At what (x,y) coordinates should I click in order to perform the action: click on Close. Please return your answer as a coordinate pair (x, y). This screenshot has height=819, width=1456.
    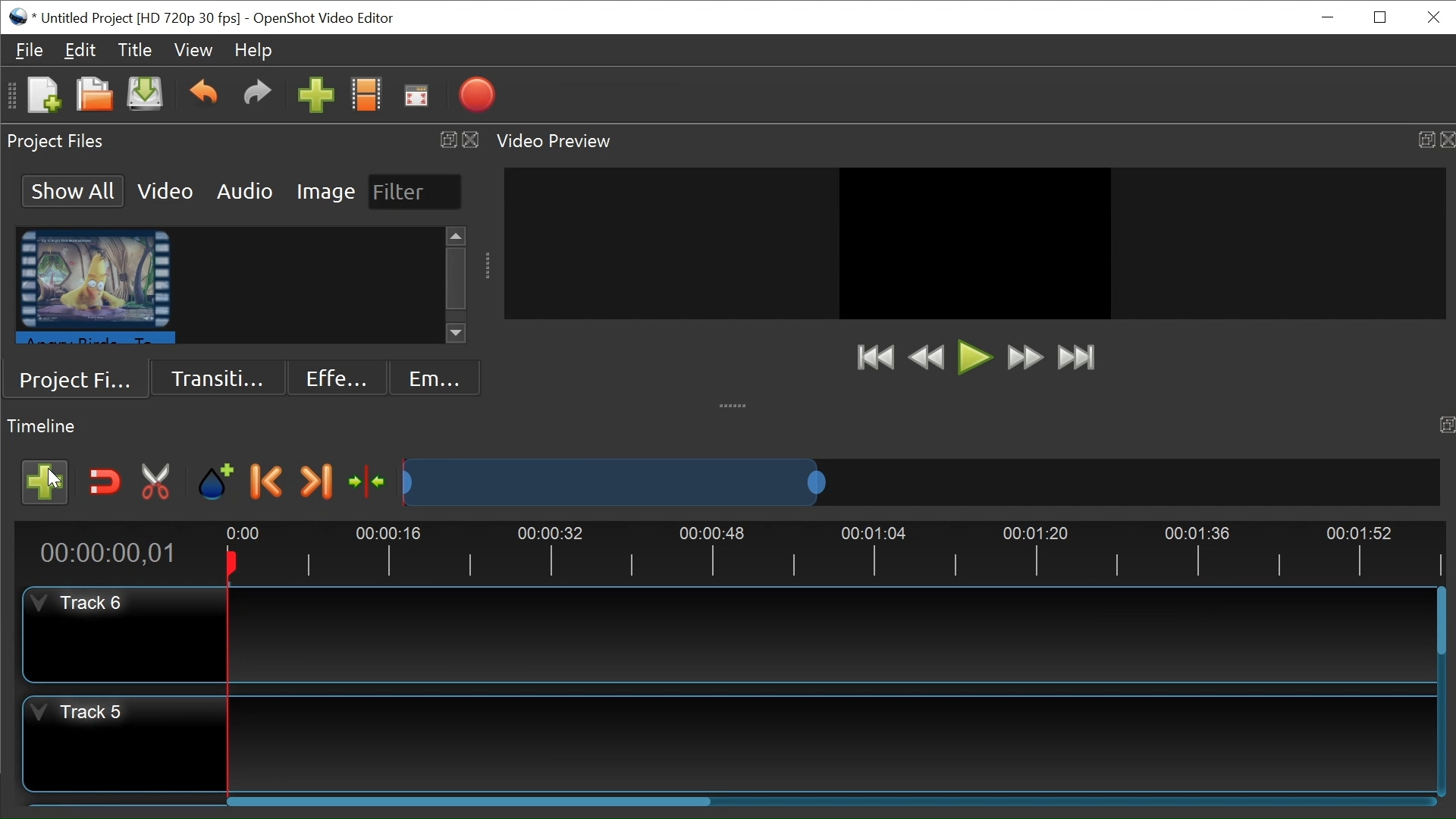
    Looking at the image, I should click on (1432, 17).